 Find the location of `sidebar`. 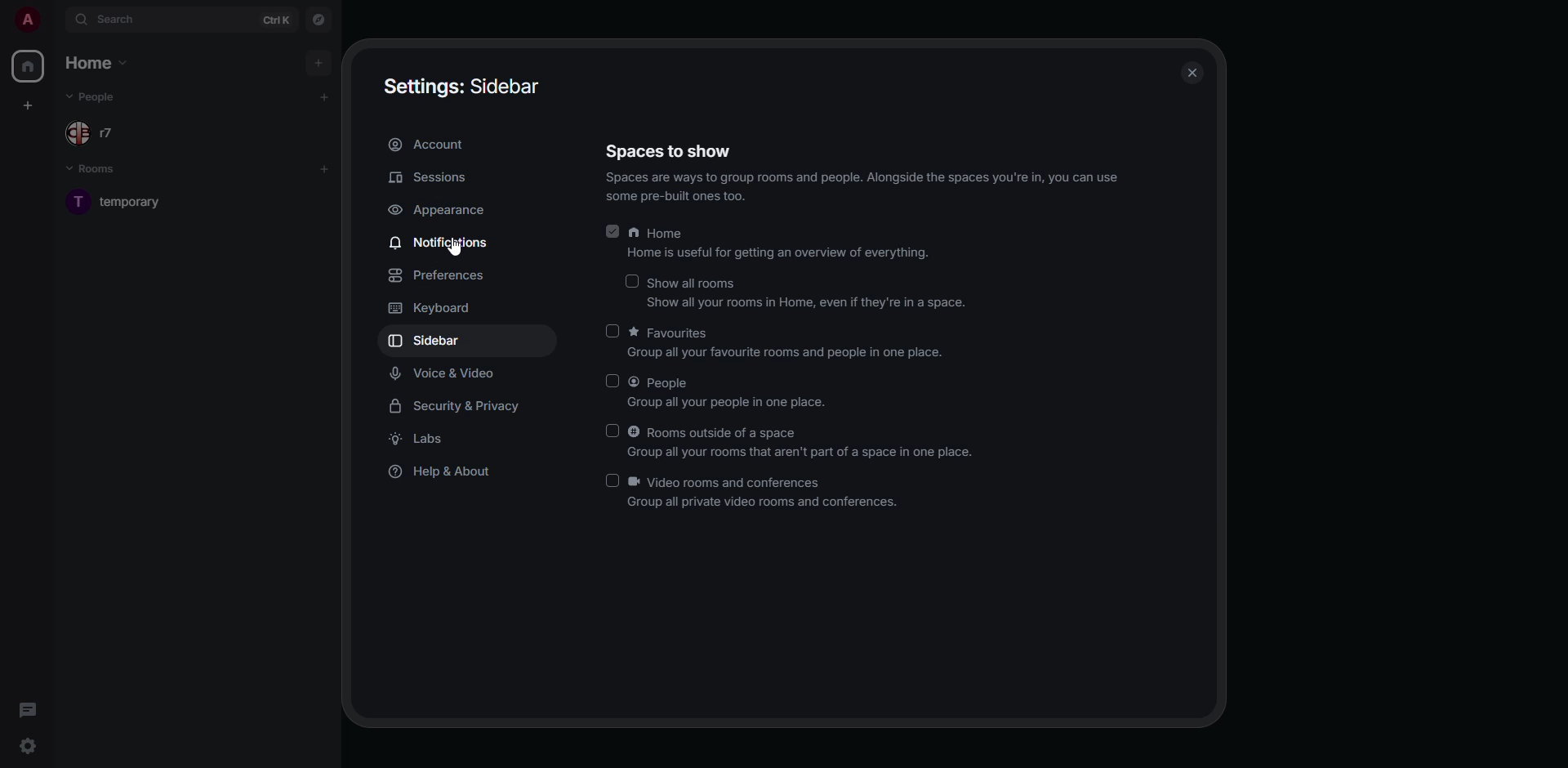

sidebar is located at coordinates (427, 341).